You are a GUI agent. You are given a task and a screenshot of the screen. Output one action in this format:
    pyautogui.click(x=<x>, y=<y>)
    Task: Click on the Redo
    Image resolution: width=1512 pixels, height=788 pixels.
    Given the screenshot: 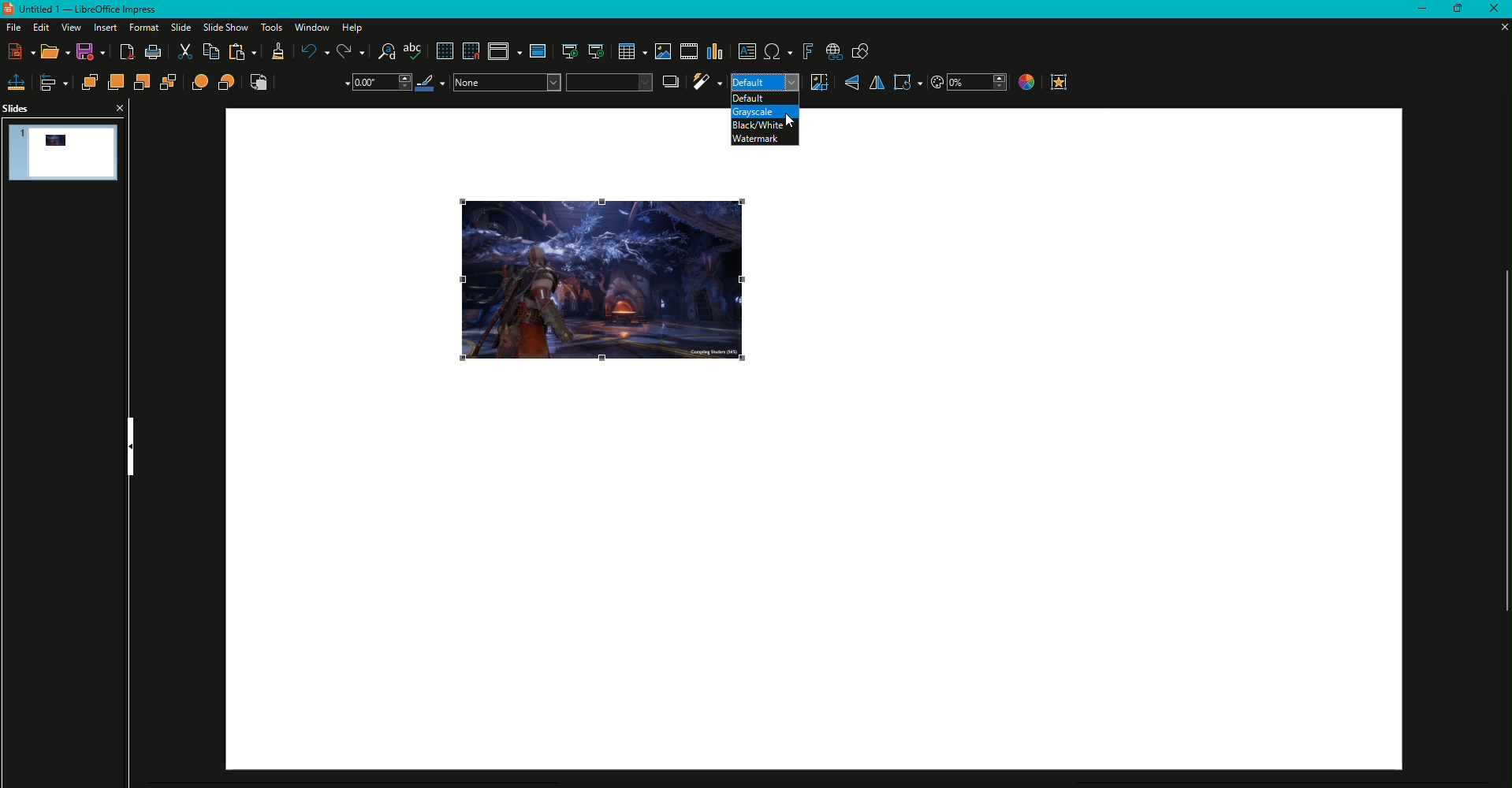 What is the action you would take?
    pyautogui.click(x=351, y=52)
    